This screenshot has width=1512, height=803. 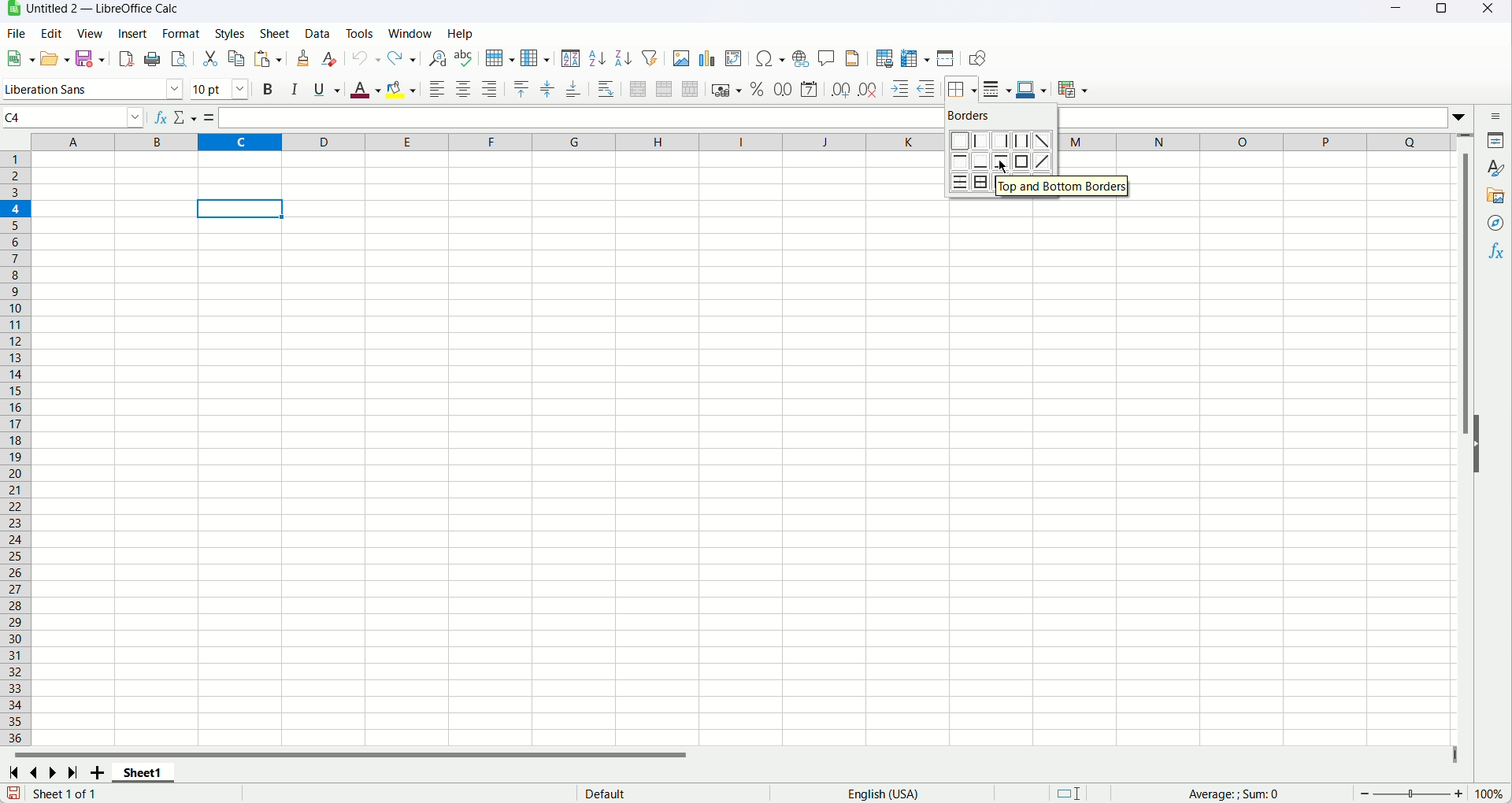 I want to click on active cell, so click(x=243, y=209).